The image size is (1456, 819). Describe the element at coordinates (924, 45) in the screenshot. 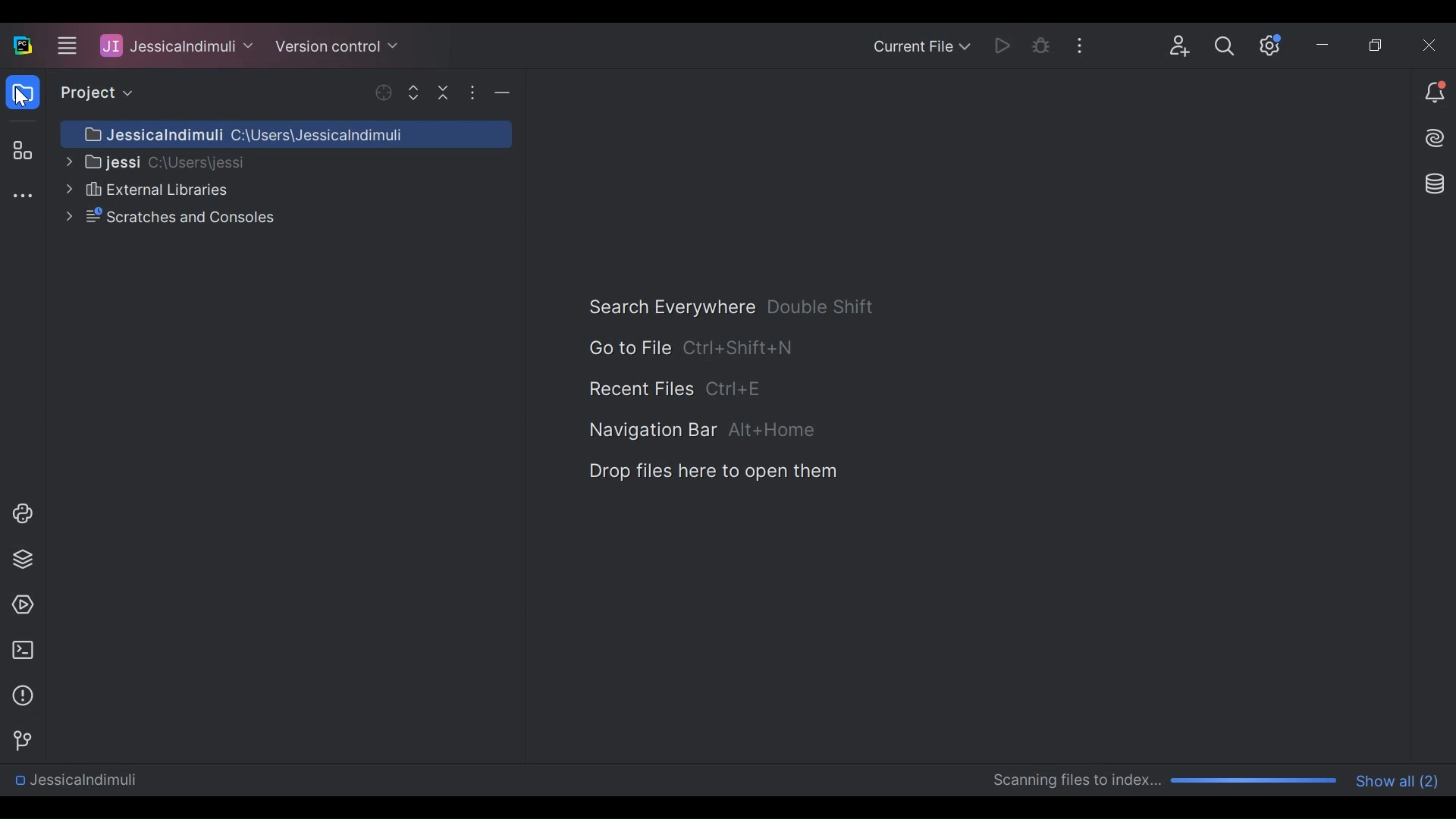

I see `Current file` at that location.